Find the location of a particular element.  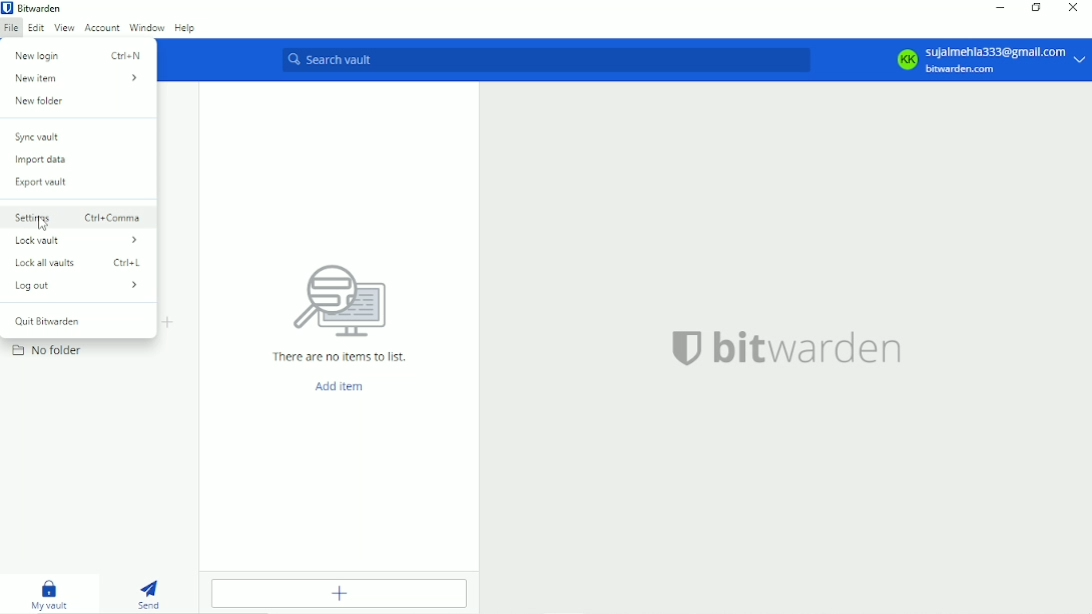

Account is located at coordinates (991, 61).